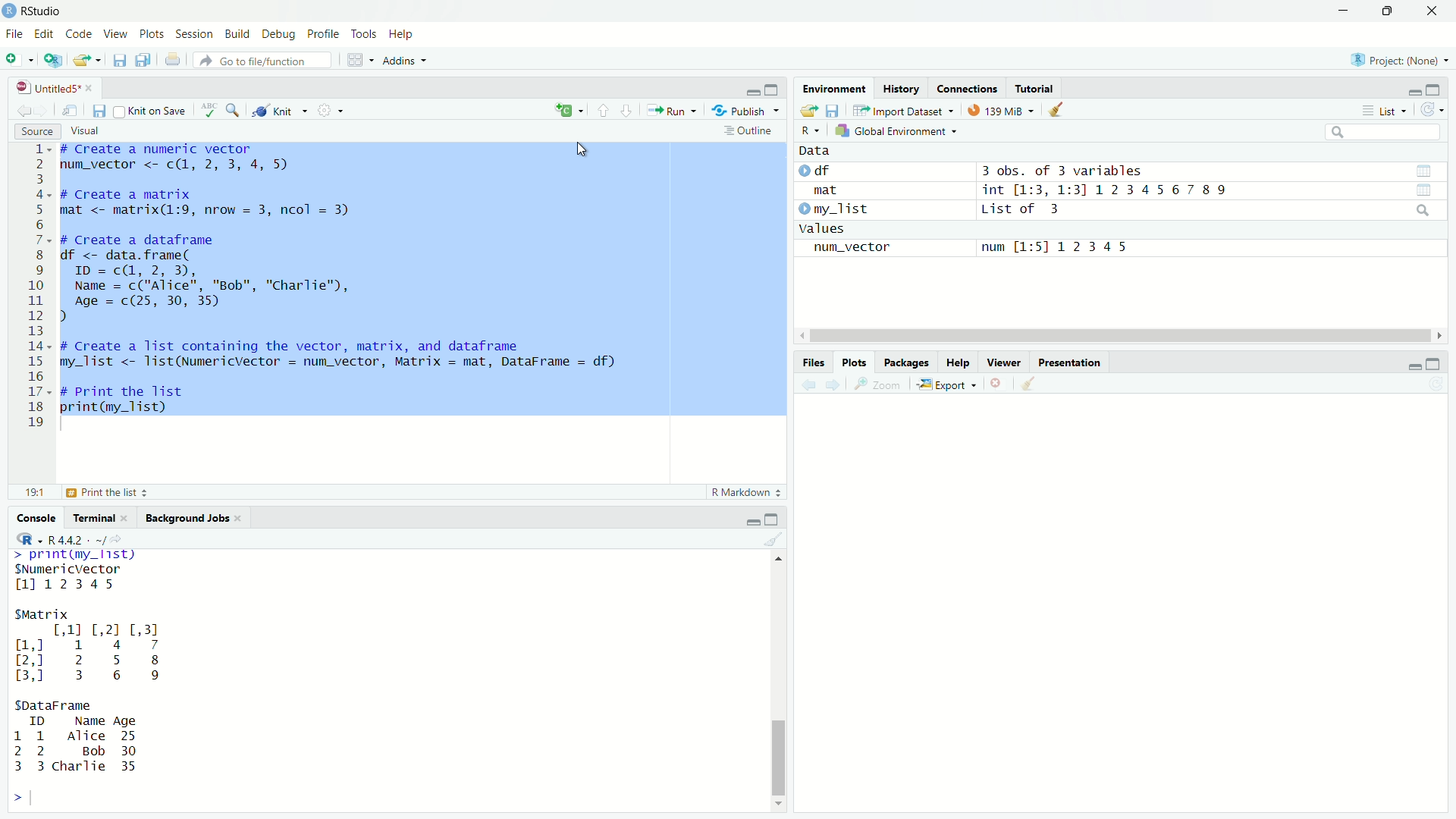 The image size is (1456, 819). What do you see at coordinates (333, 112) in the screenshot?
I see `settings` at bounding box center [333, 112].